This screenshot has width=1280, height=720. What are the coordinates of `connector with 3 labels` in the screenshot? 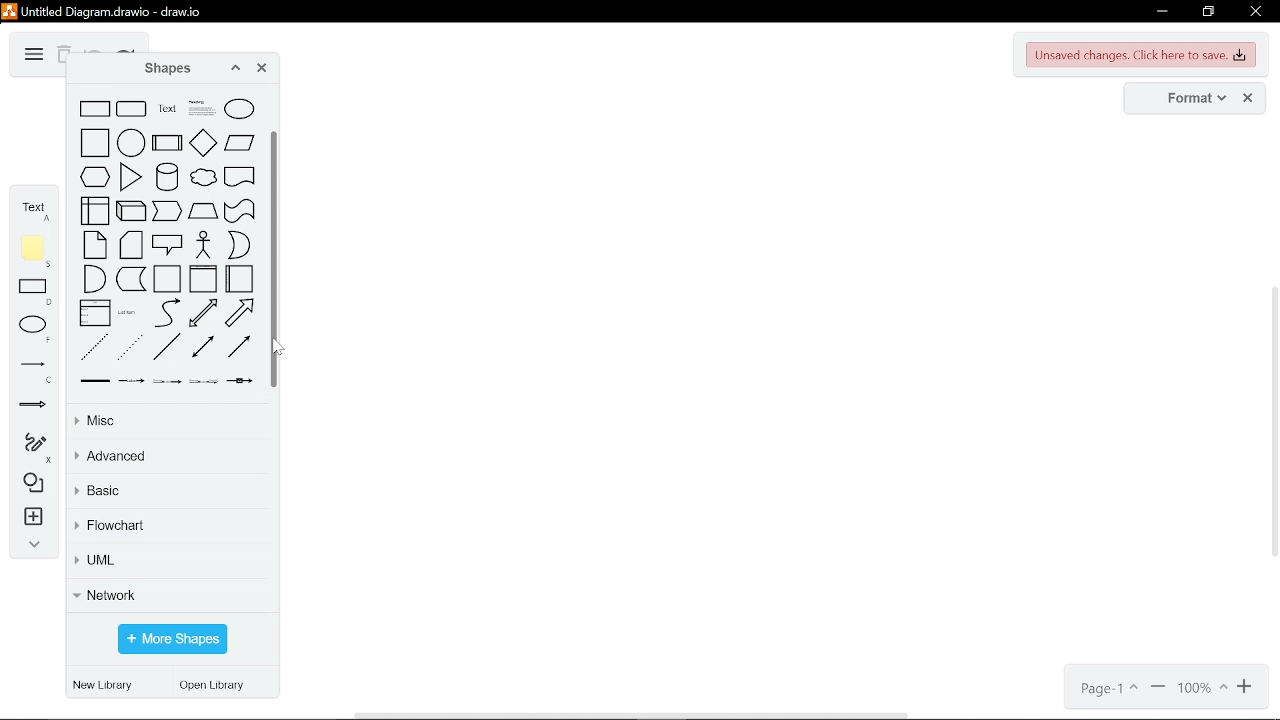 It's located at (203, 381).